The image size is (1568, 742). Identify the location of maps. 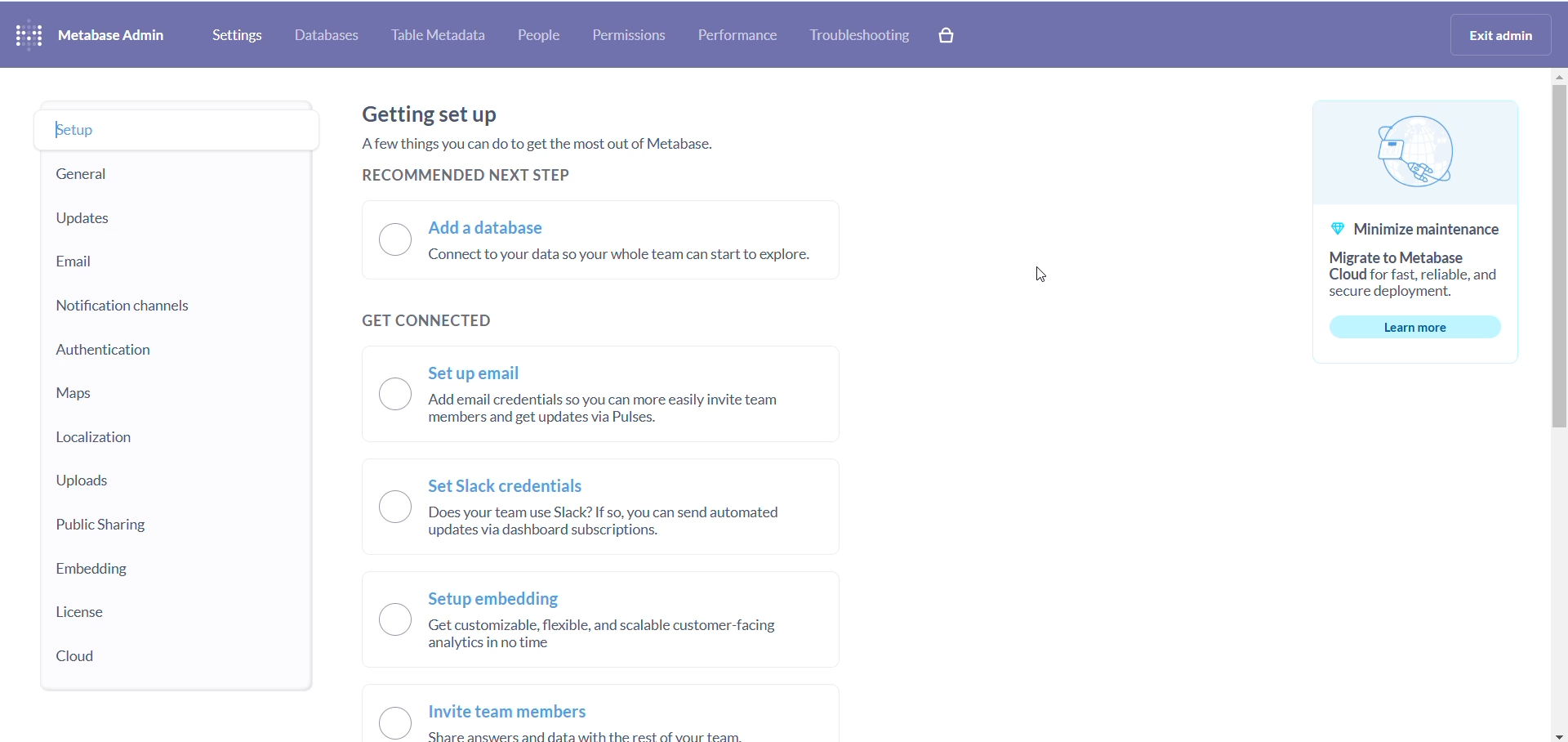
(73, 393).